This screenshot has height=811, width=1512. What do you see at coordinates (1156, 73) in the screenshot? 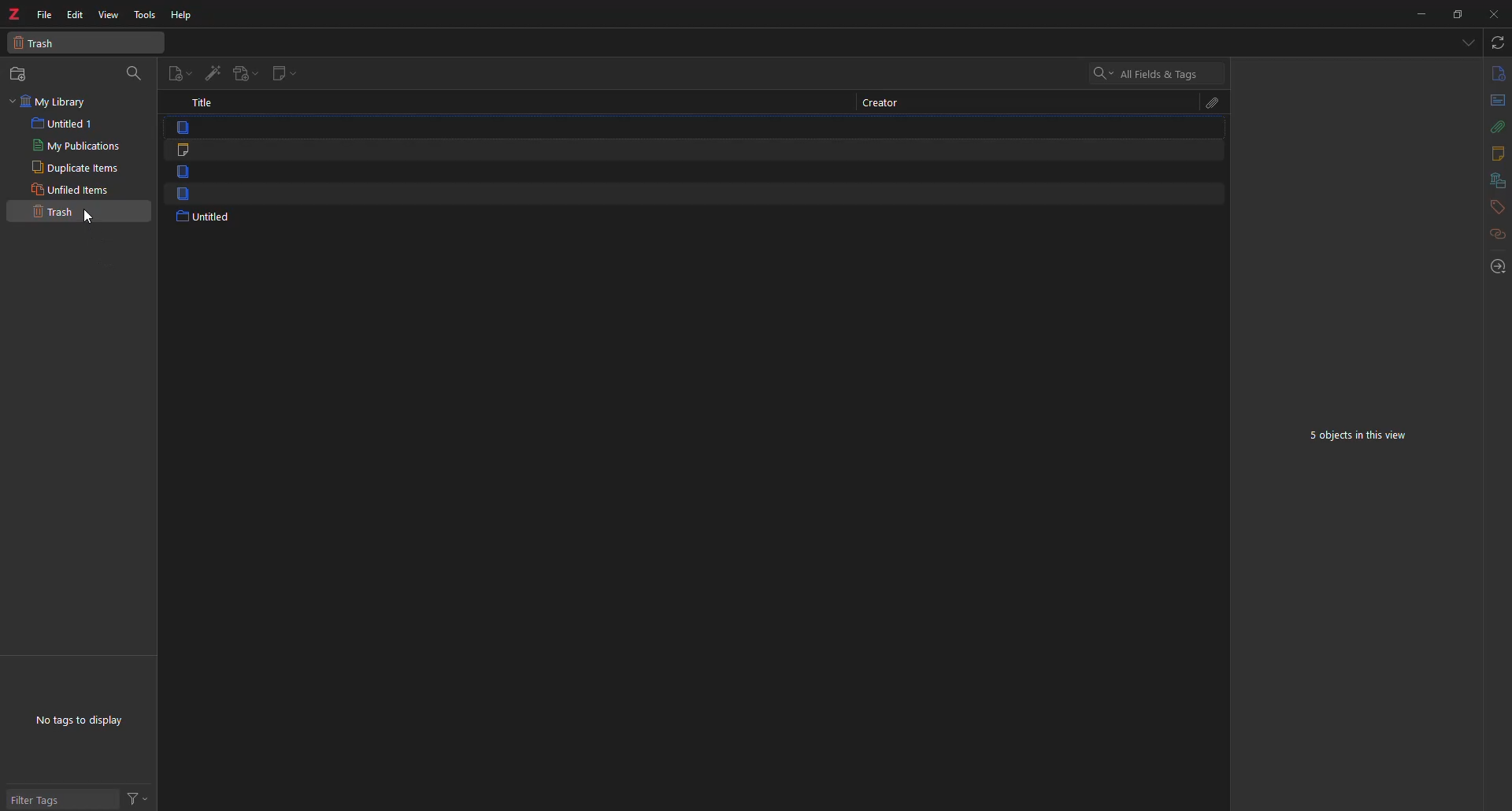
I see `search` at bounding box center [1156, 73].